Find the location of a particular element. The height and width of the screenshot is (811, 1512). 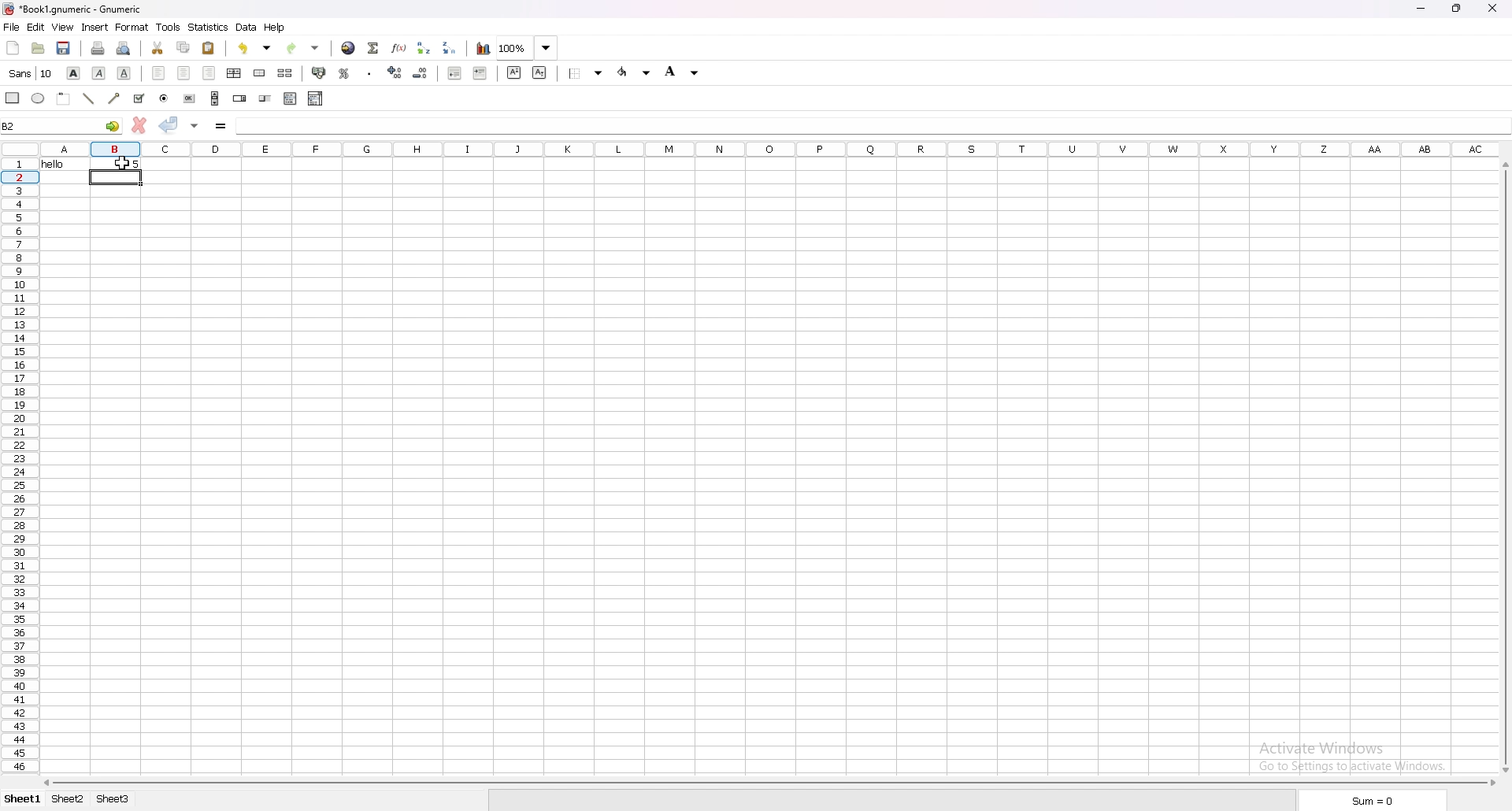

merge is located at coordinates (259, 73).